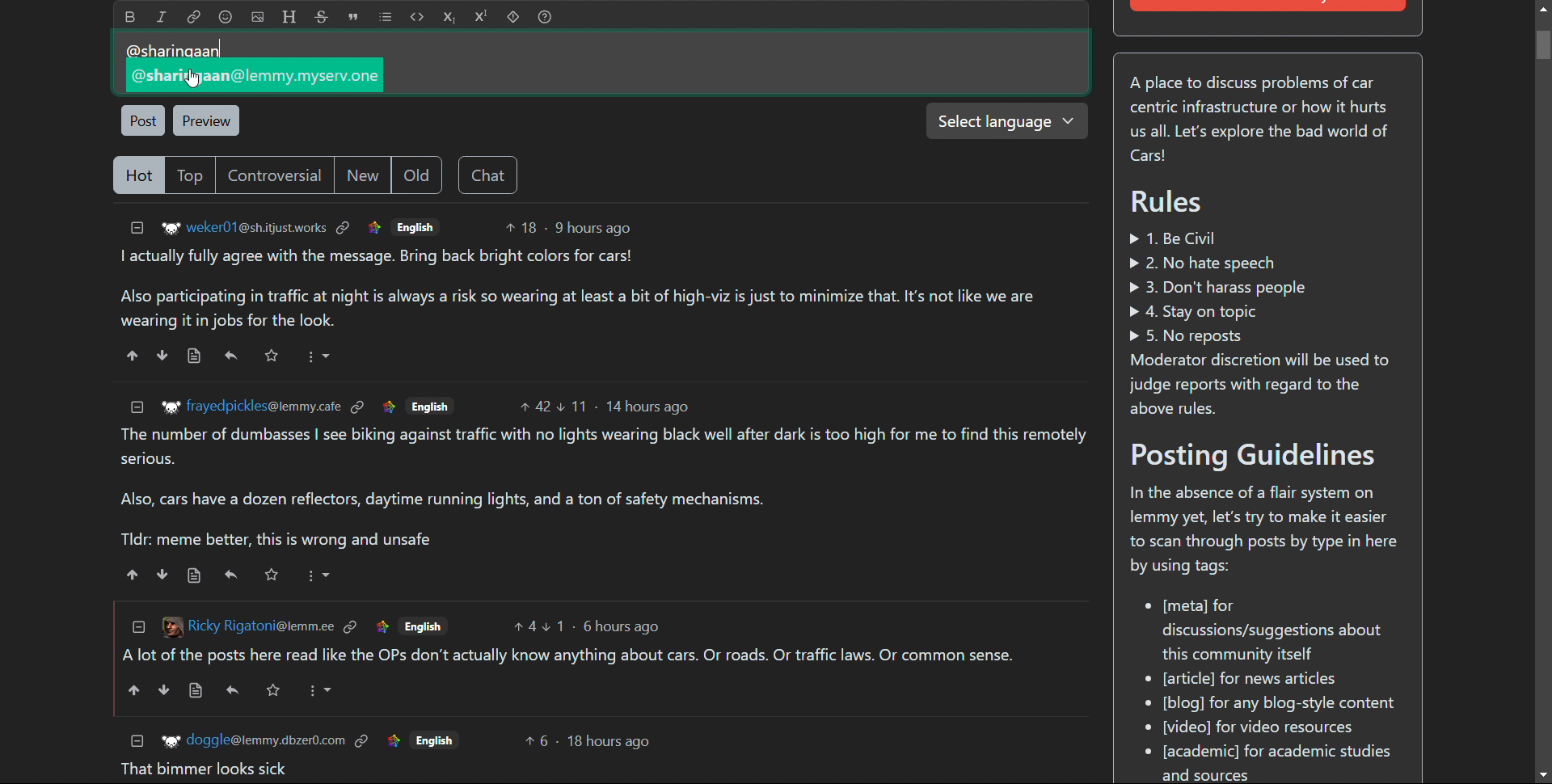 Image resolution: width=1552 pixels, height=784 pixels. I want to click on A place to discuss problems of car
centric infrastructure or how it hurts
us all. Let's explore the bad world of
Cars!

Rules

» 1. Be Civil

» 2. No hate speech

» 3. Don't harass people

> 4. Stay on topic

» 5. No reposts

Moderator discretion will be used to
judge reports with regard to the
above rules.

Posting Guidelines
In the absence of a flair system on
lemmy yet, let's try to make it easier
to scan through posts by type in here
by using tags:

* [meta] for
discussions/suggestions about
this community itself

eo [article] for news articles

[blog] for any blog-style content

* [video] for video resources

* [academic] for academic studies
and sources, so click(1267, 424).